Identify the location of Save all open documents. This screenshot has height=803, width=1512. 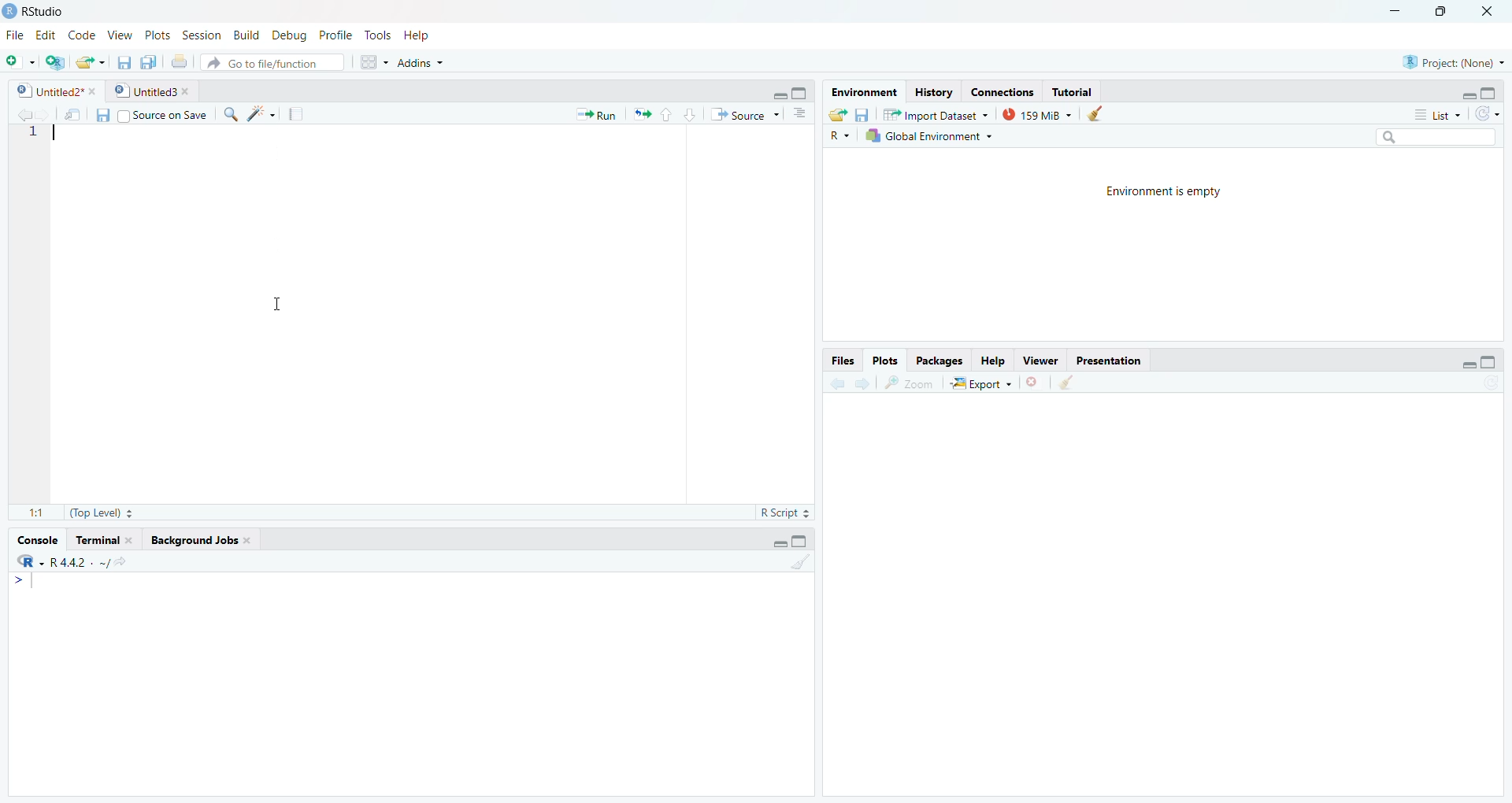
(148, 63).